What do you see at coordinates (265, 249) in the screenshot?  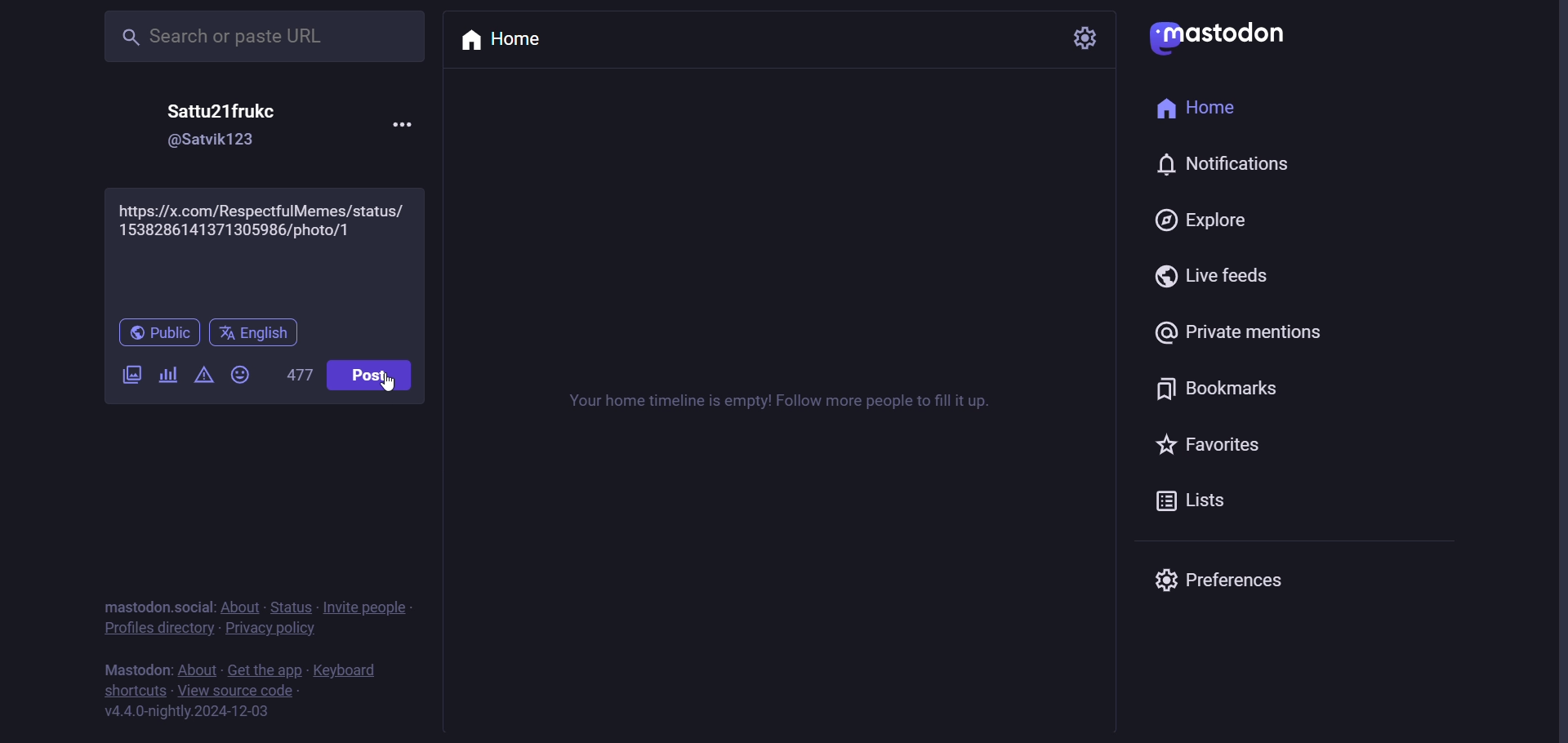 I see `https://x.com/RespectfulMemes/status/
1538286141371305986/photo/1` at bounding box center [265, 249].